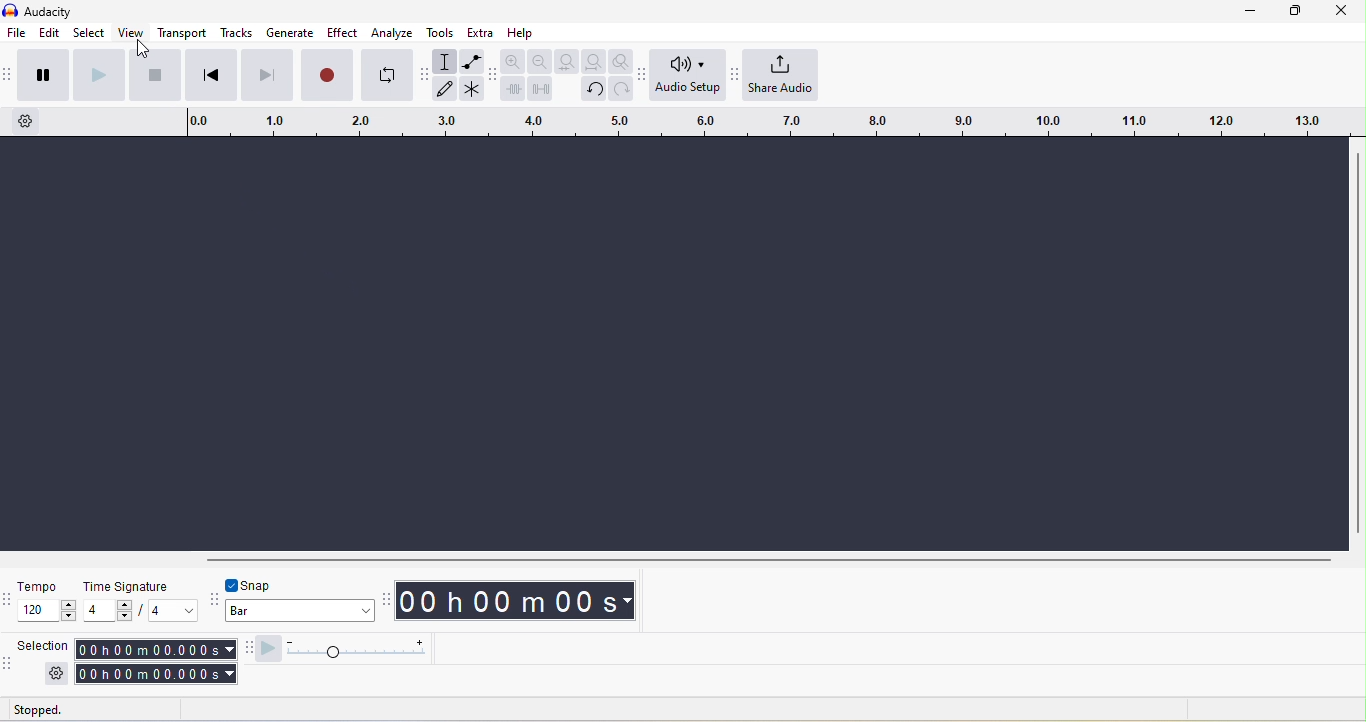  I want to click on selection, so click(44, 645).